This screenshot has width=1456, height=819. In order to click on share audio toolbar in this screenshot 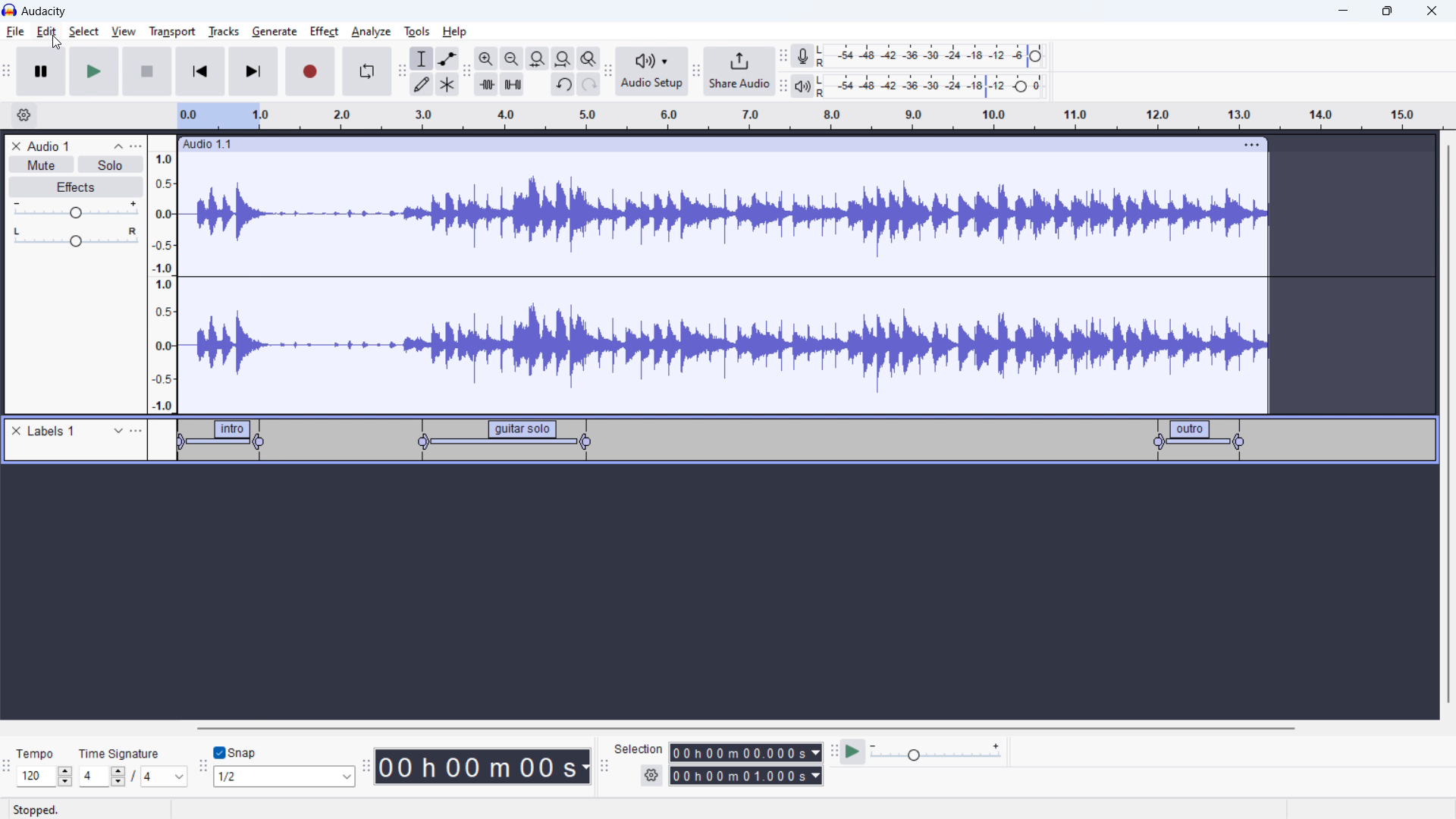, I will do `click(696, 73)`.